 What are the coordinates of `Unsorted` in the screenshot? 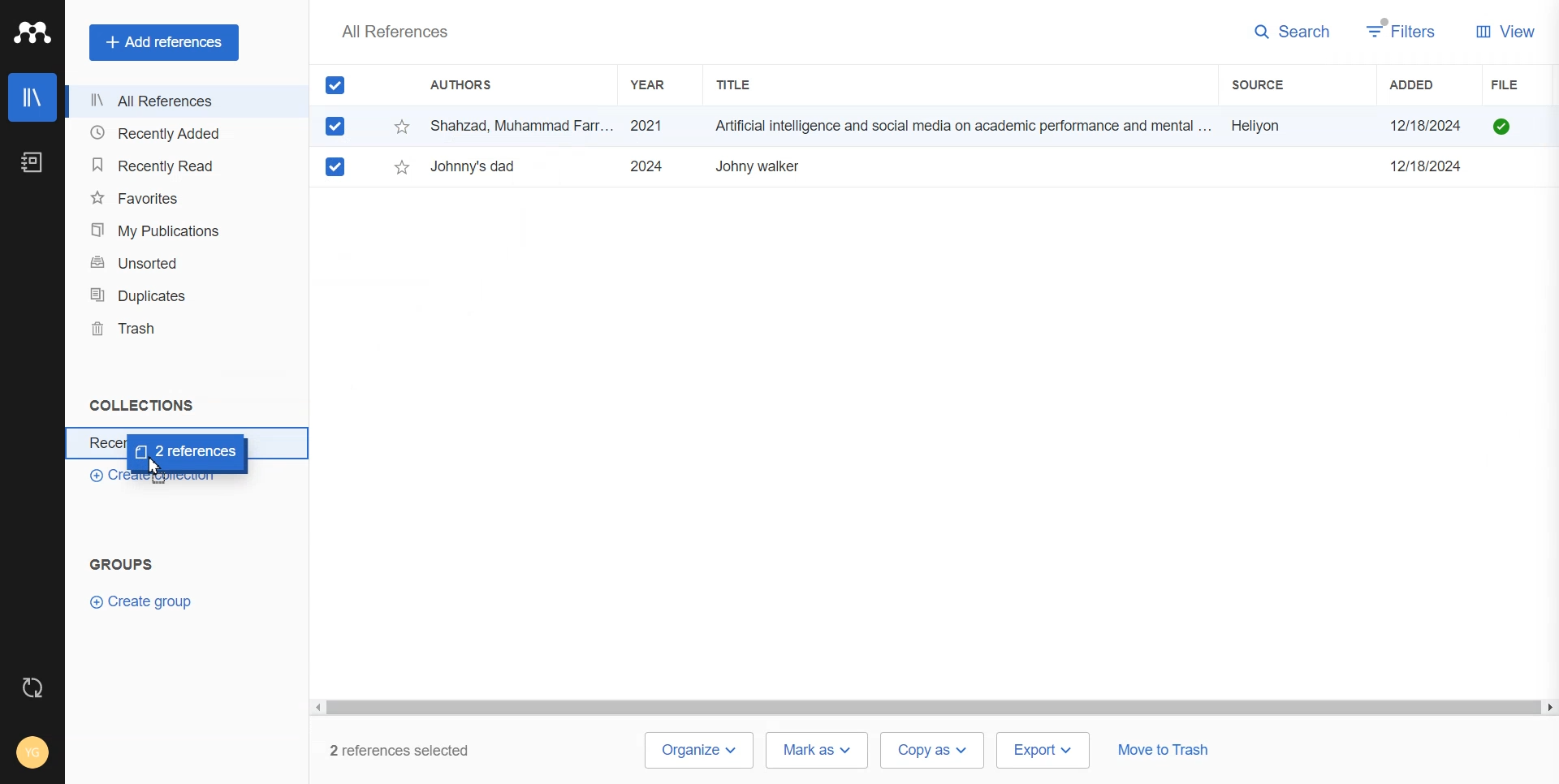 It's located at (181, 263).